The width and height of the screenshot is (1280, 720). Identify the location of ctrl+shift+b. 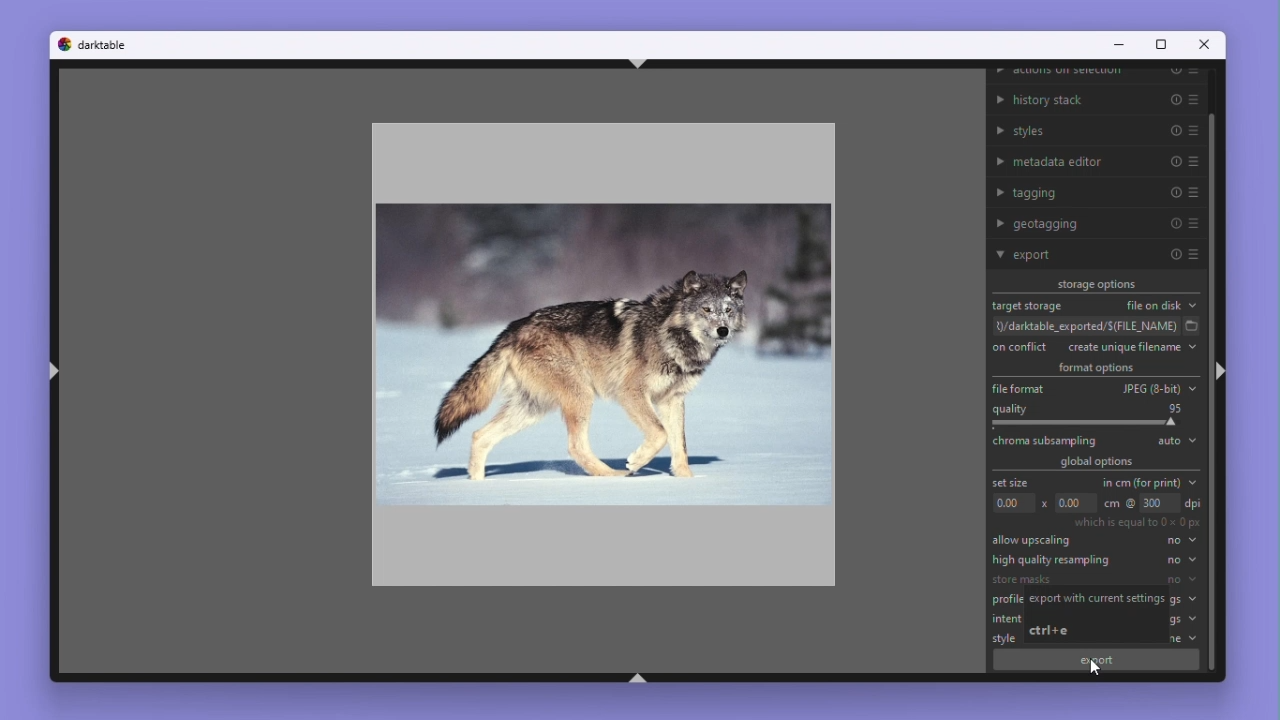
(635, 678).